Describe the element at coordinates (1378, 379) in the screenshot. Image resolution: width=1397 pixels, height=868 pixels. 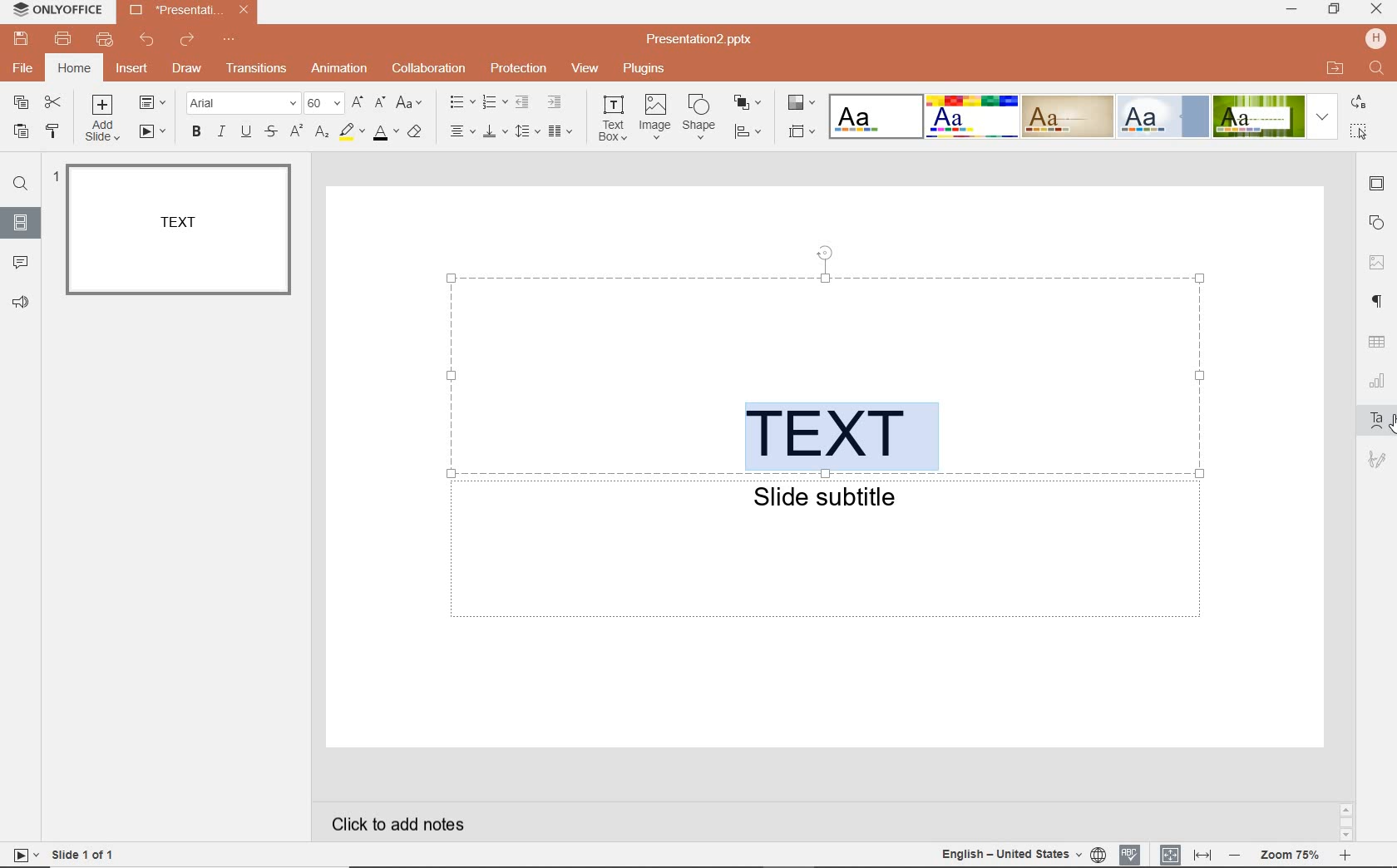
I see `CHART SETTINGS` at that location.